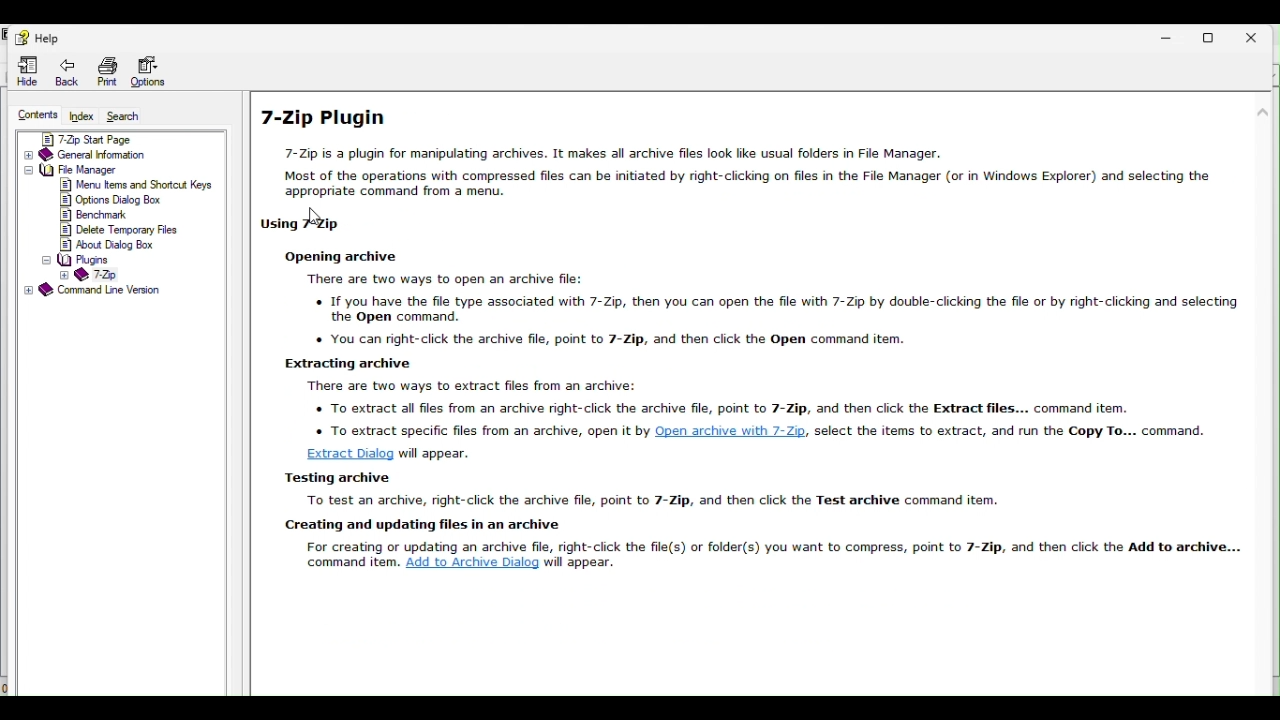 The height and width of the screenshot is (720, 1280). I want to click on benchmark, so click(101, 215).